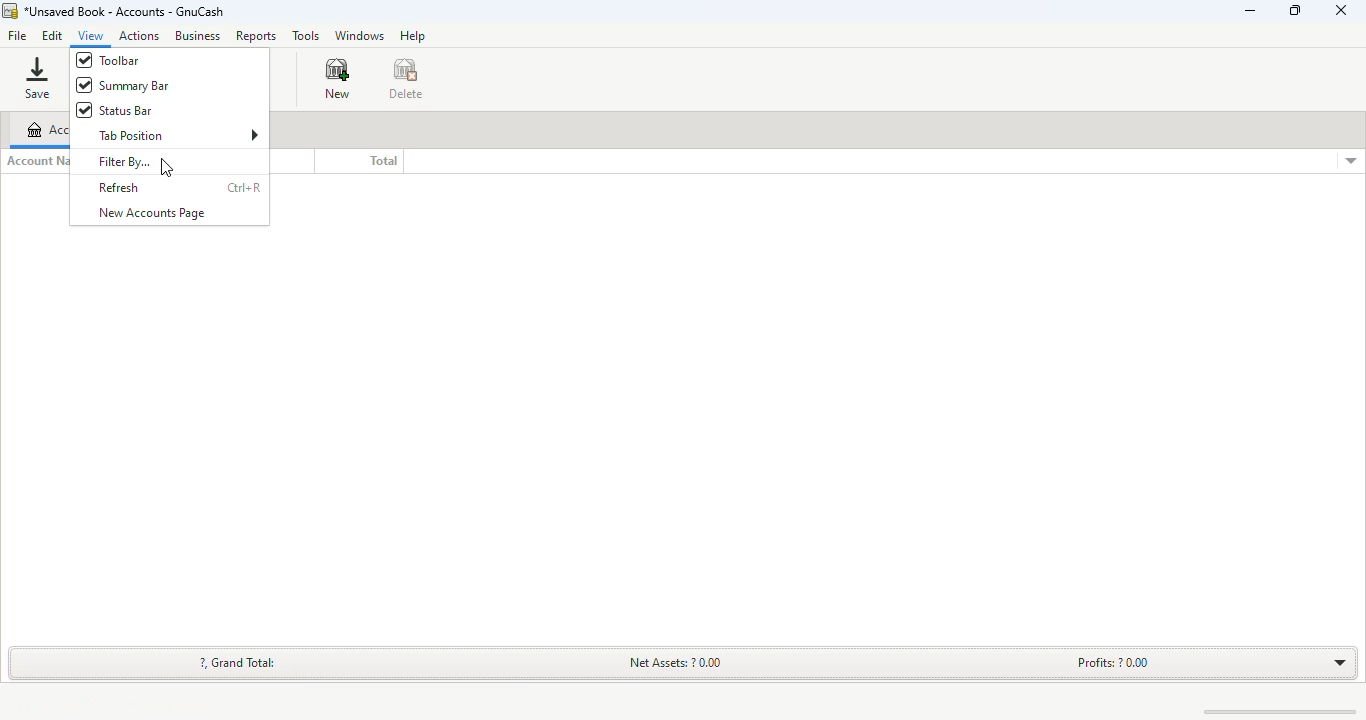 Image resolution: width=1366 pixels, height=720 pixels. I want to click on maximize, so click(1295, 10).